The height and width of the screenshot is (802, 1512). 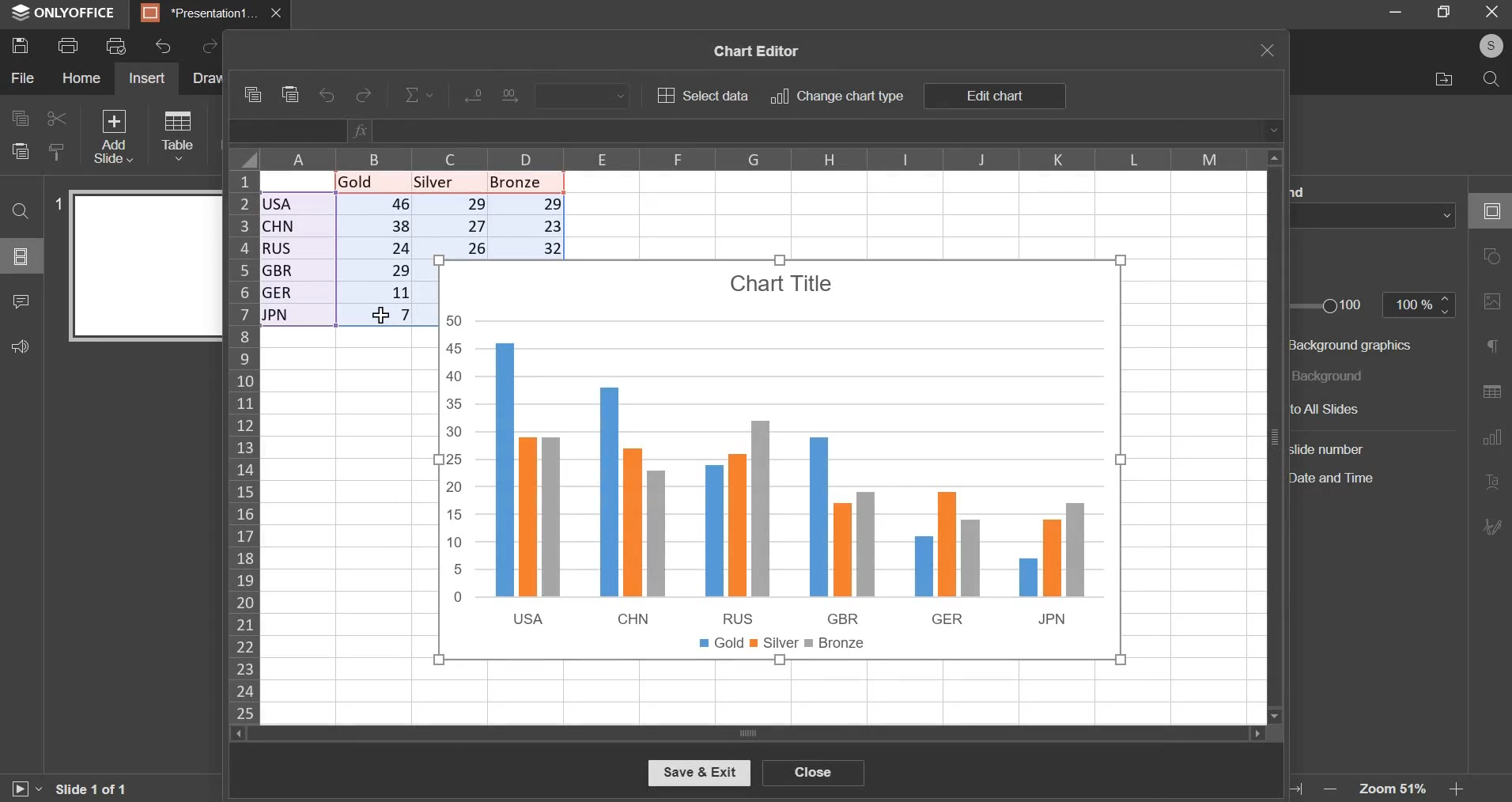 I want to click on gold, so click(x=365, y=181).